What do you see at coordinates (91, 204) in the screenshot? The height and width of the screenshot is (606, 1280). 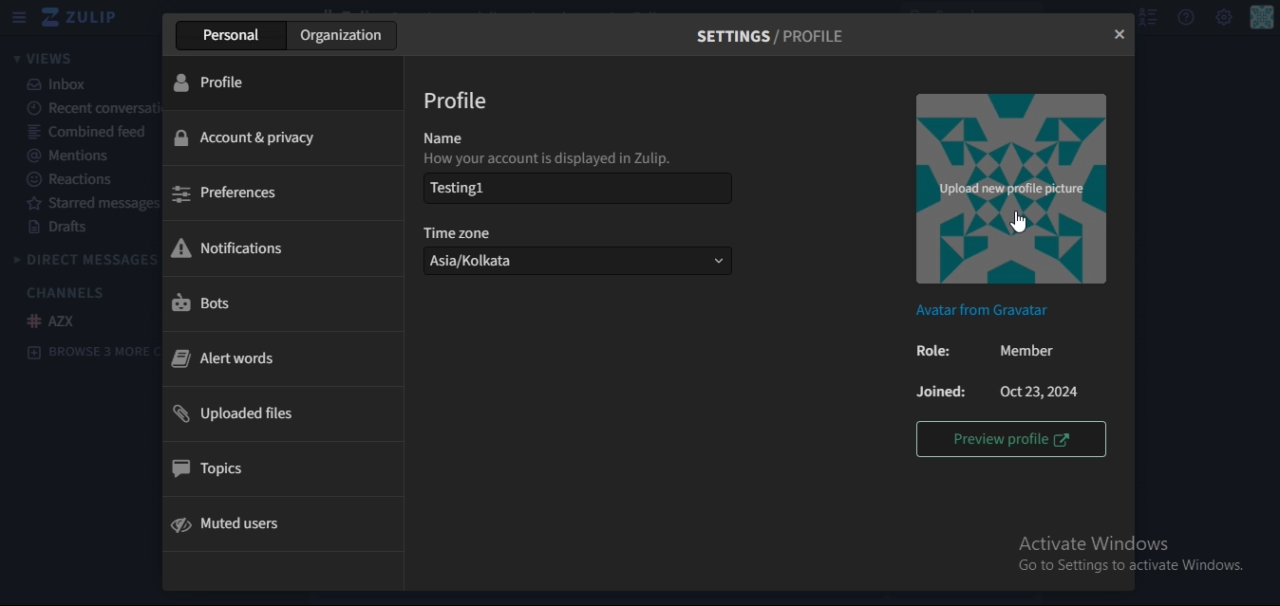 I see `starred messages` at bounding box center [91, 204].